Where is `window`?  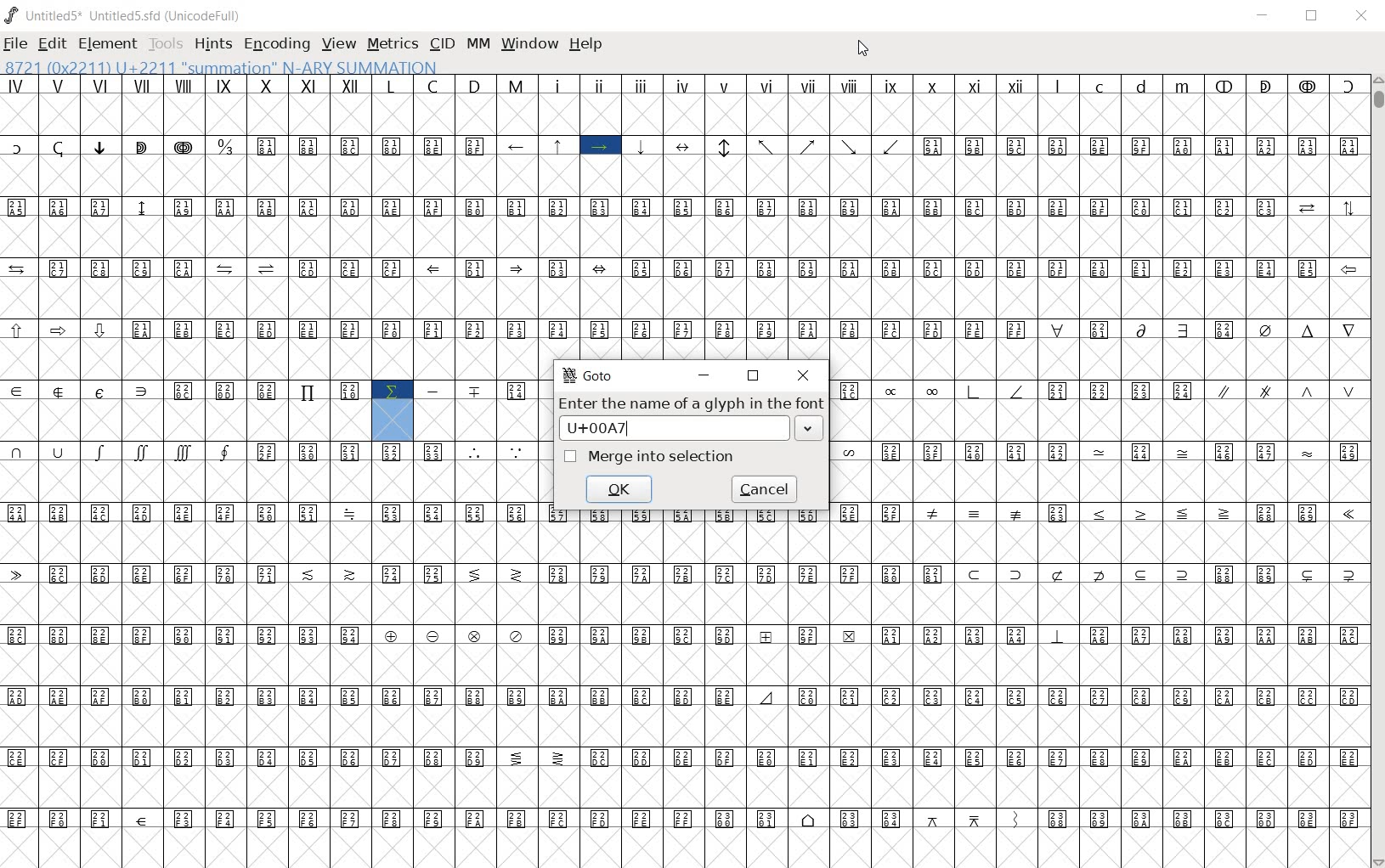 window is located at coordinates (529, 42).